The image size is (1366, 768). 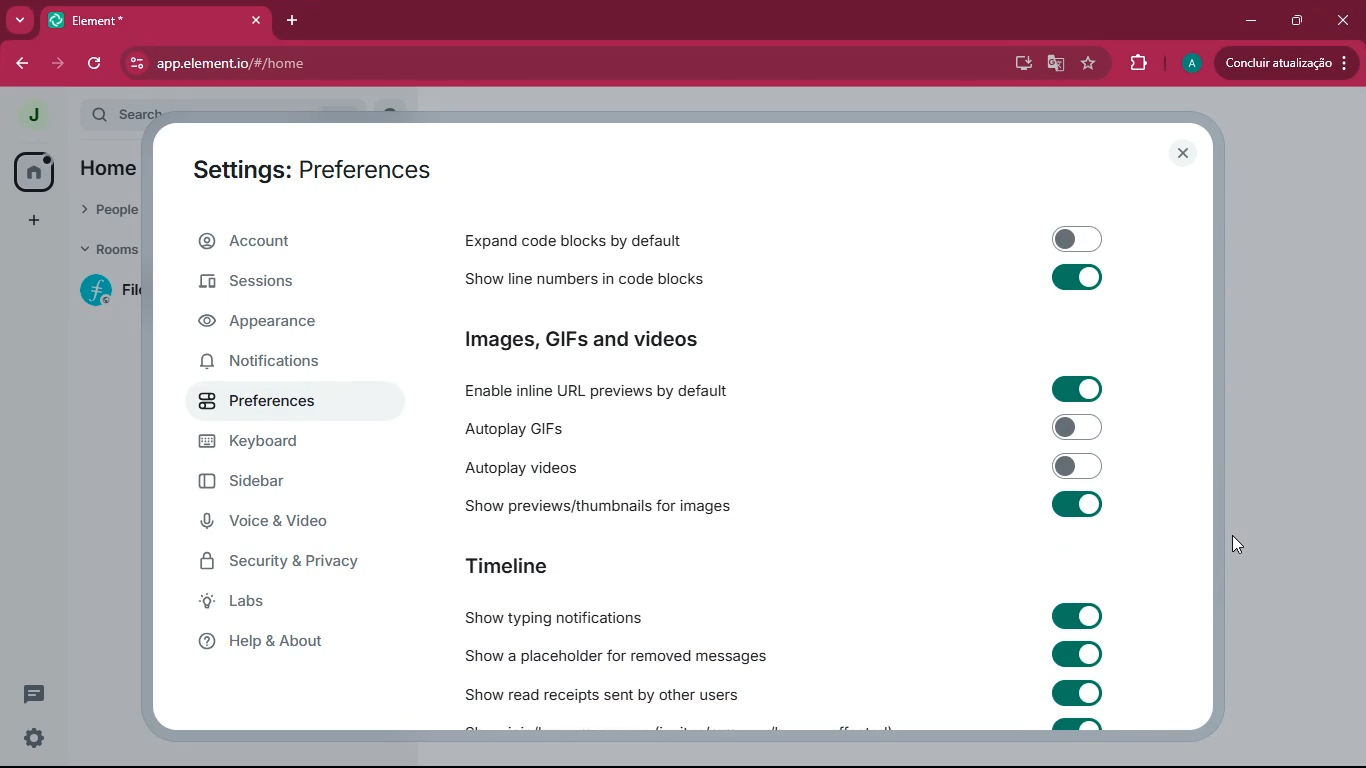 I want to click on settings: preferences, so click(x=313, y=174).